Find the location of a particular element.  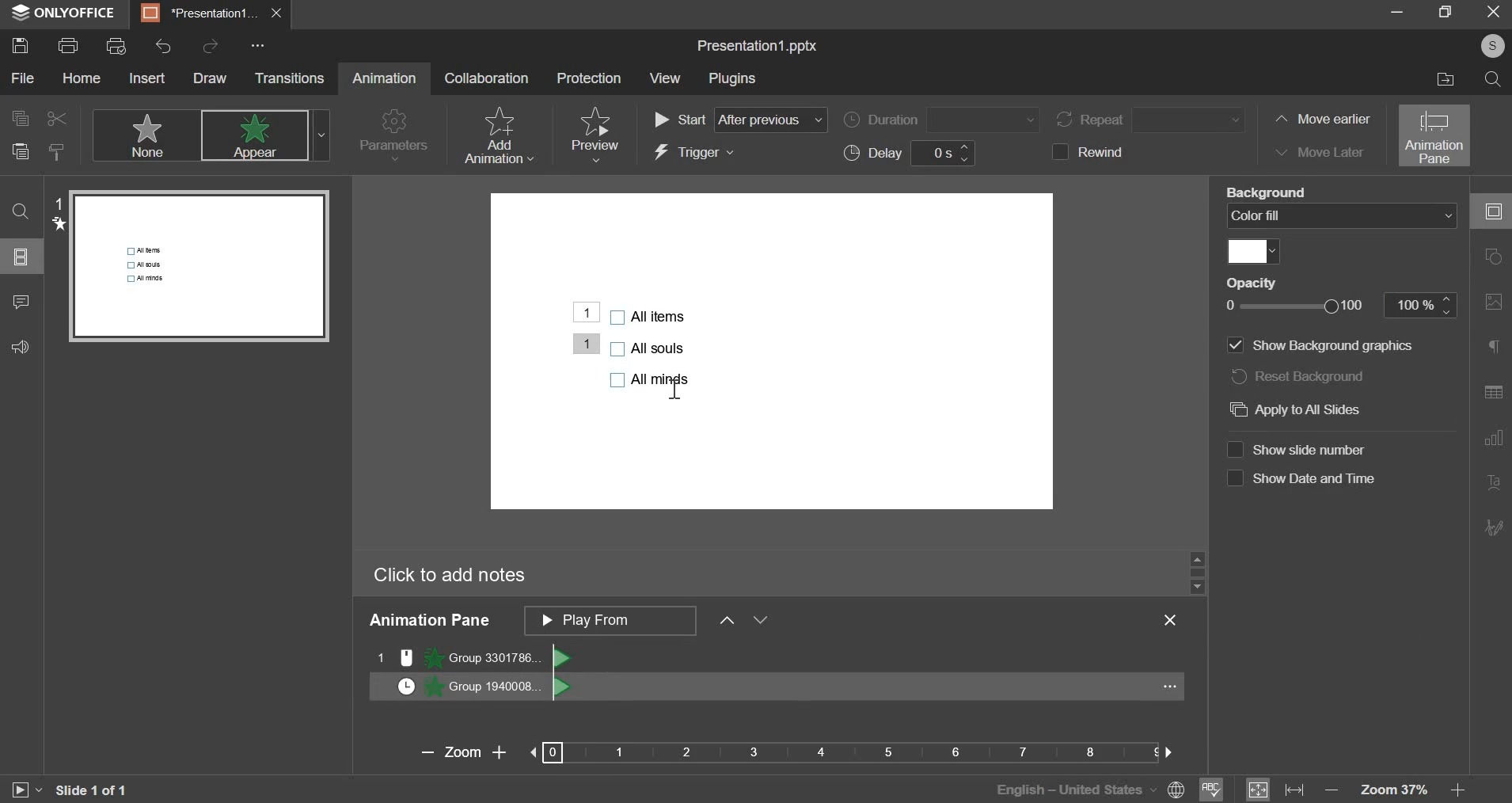

print is located at coordinates (68, 44).